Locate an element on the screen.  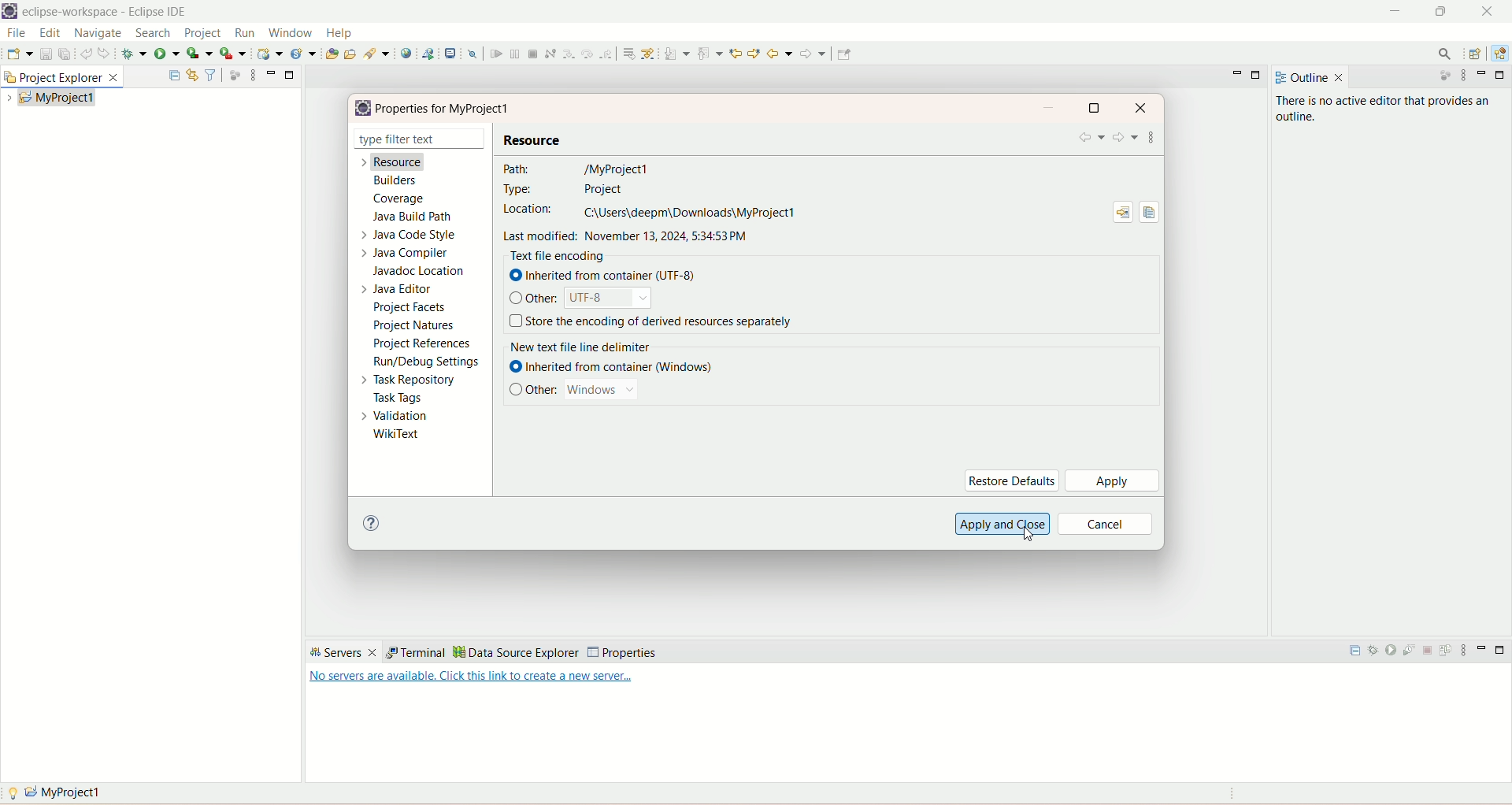
maximize is located at coordinates (1093, 108).